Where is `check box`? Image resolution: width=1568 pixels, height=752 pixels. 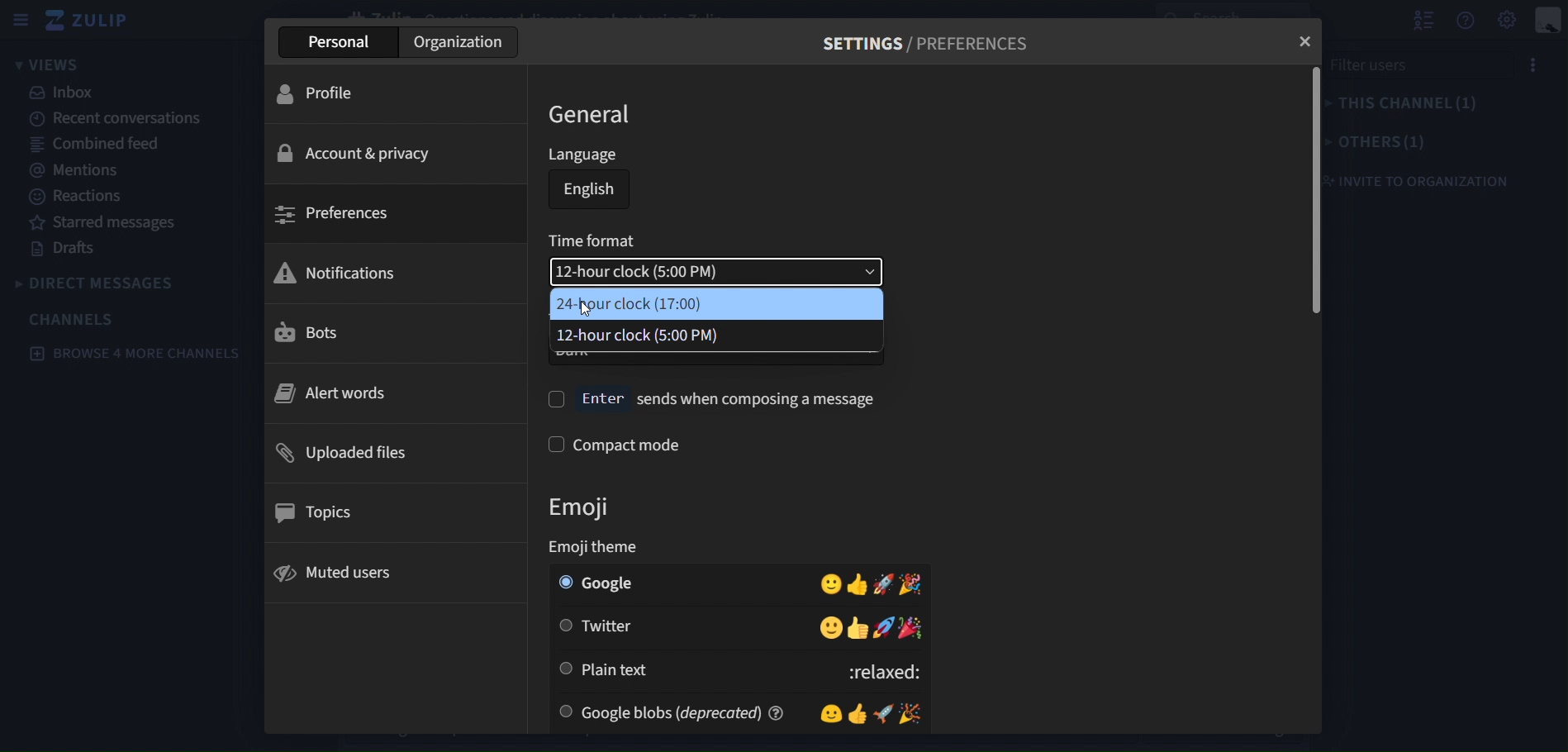
check box is located at coordinates (554, 397).